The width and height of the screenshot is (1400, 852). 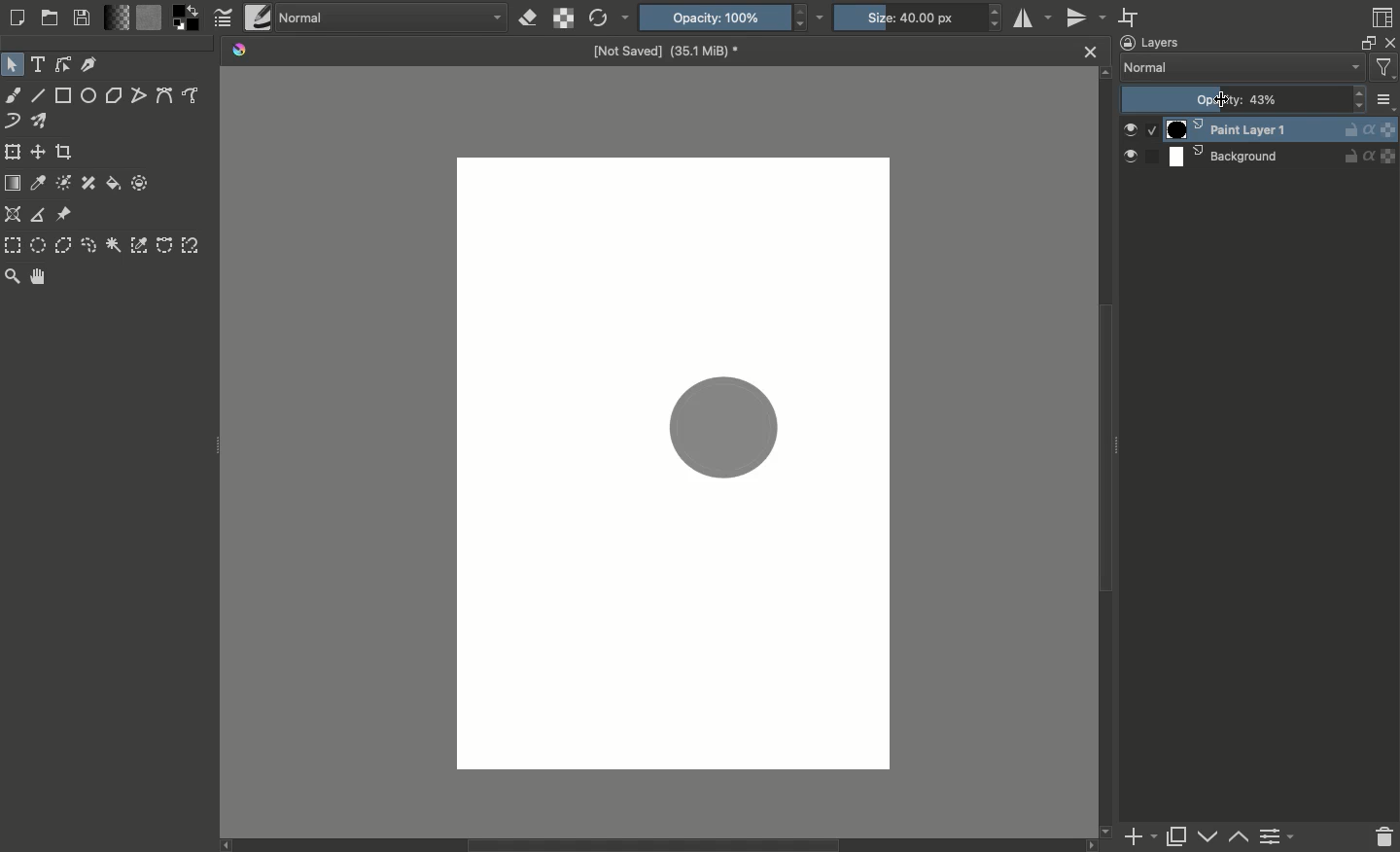 I want to click on Alpha, so click(x=1369, y=129).